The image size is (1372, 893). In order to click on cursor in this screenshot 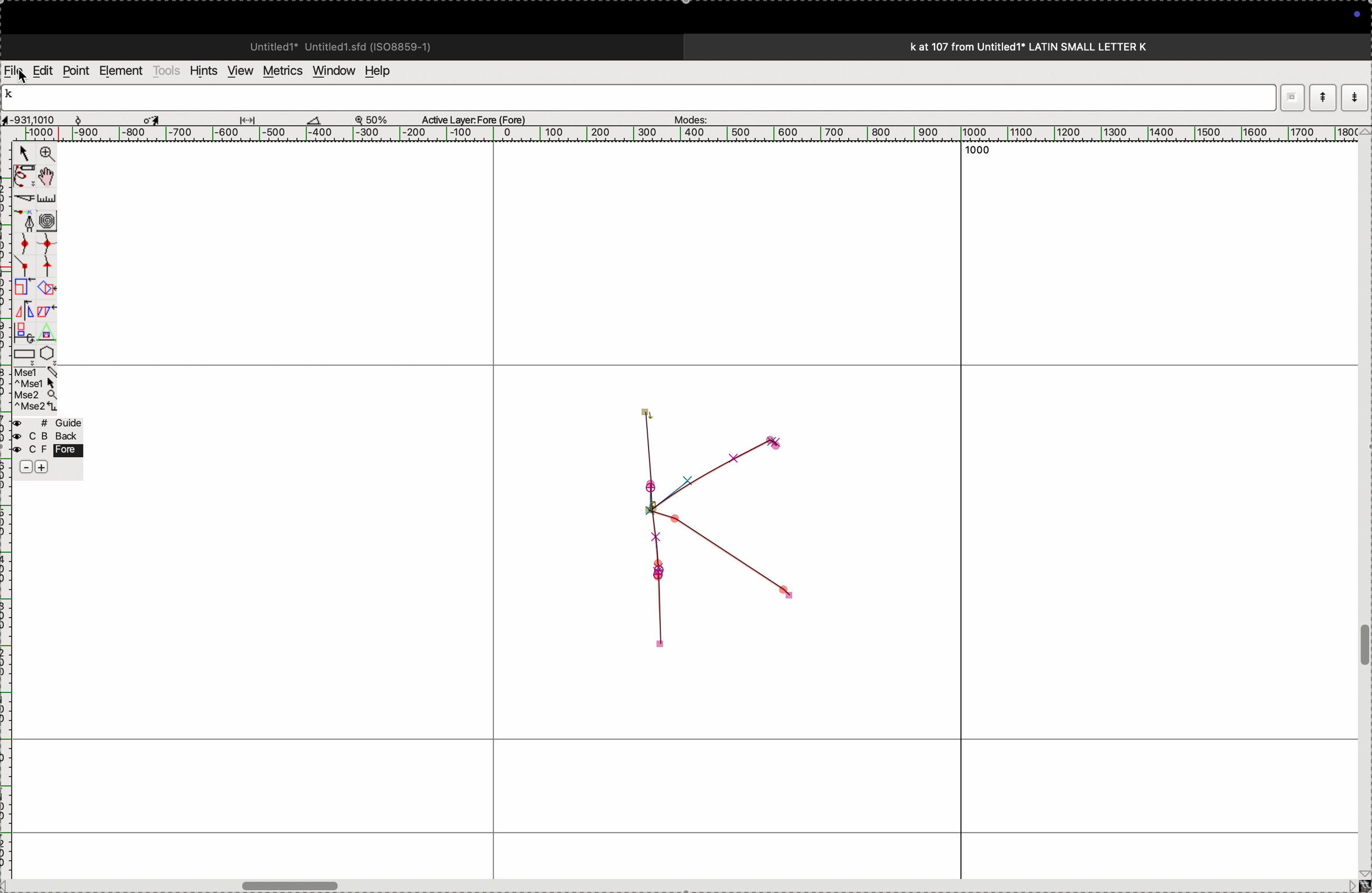, I will do `click(24, 155)`.